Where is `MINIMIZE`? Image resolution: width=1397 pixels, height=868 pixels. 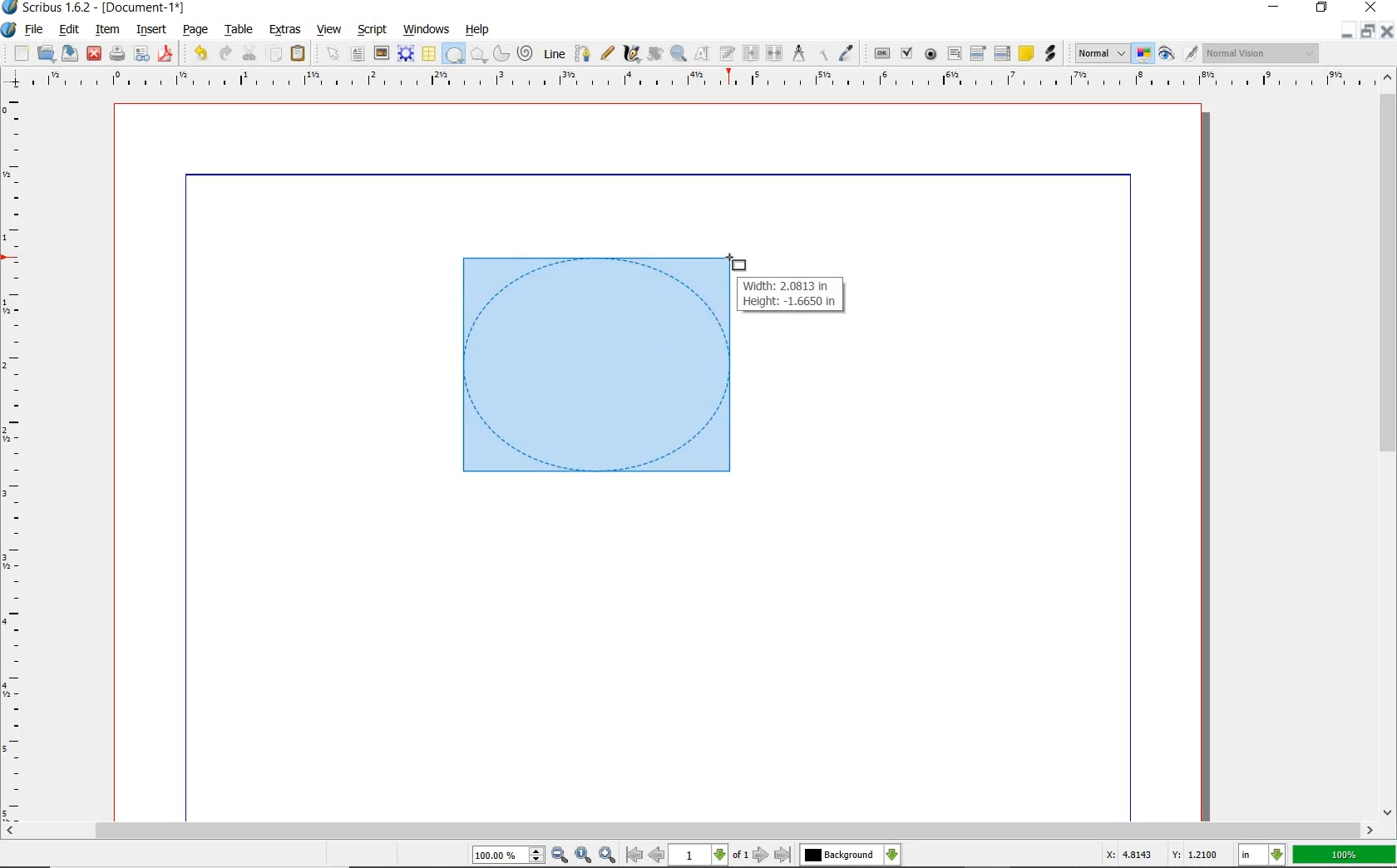
MINIMIZE is located at coordinates (1346, 32).